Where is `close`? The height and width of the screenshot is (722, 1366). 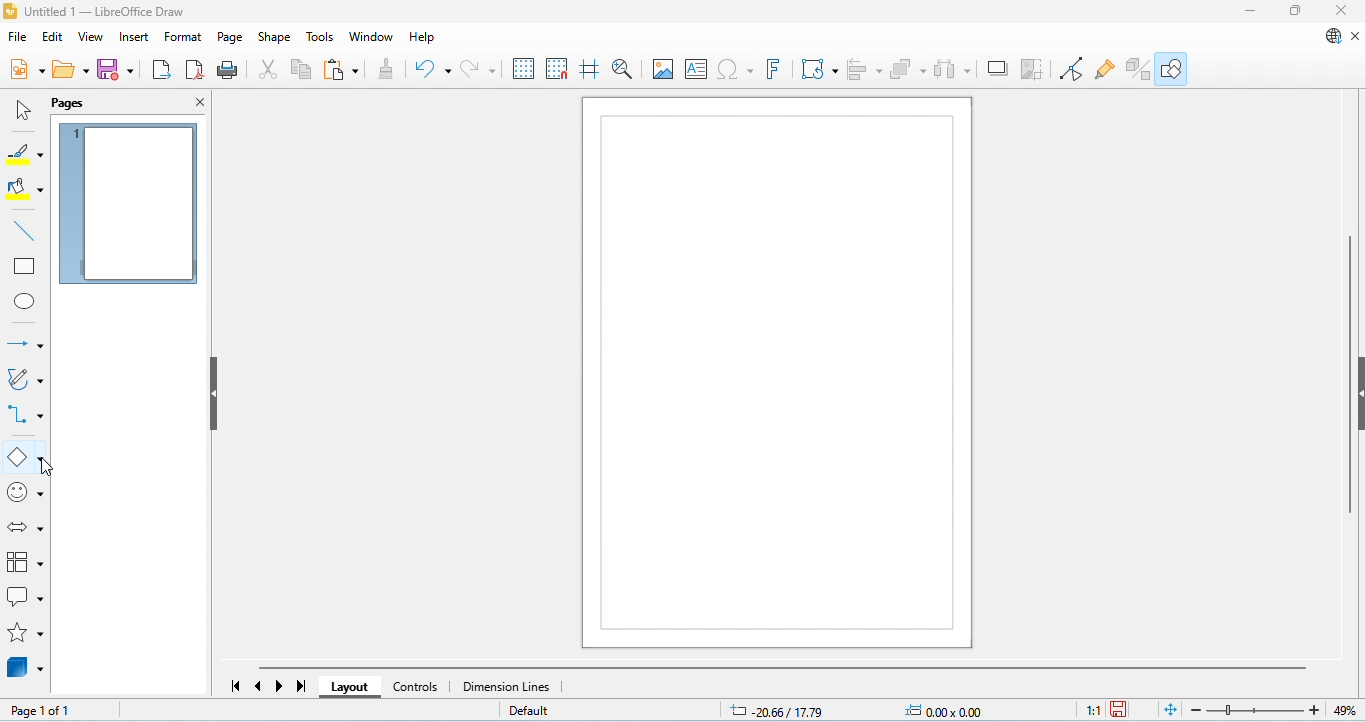
close is located at coordinates (199, 101).